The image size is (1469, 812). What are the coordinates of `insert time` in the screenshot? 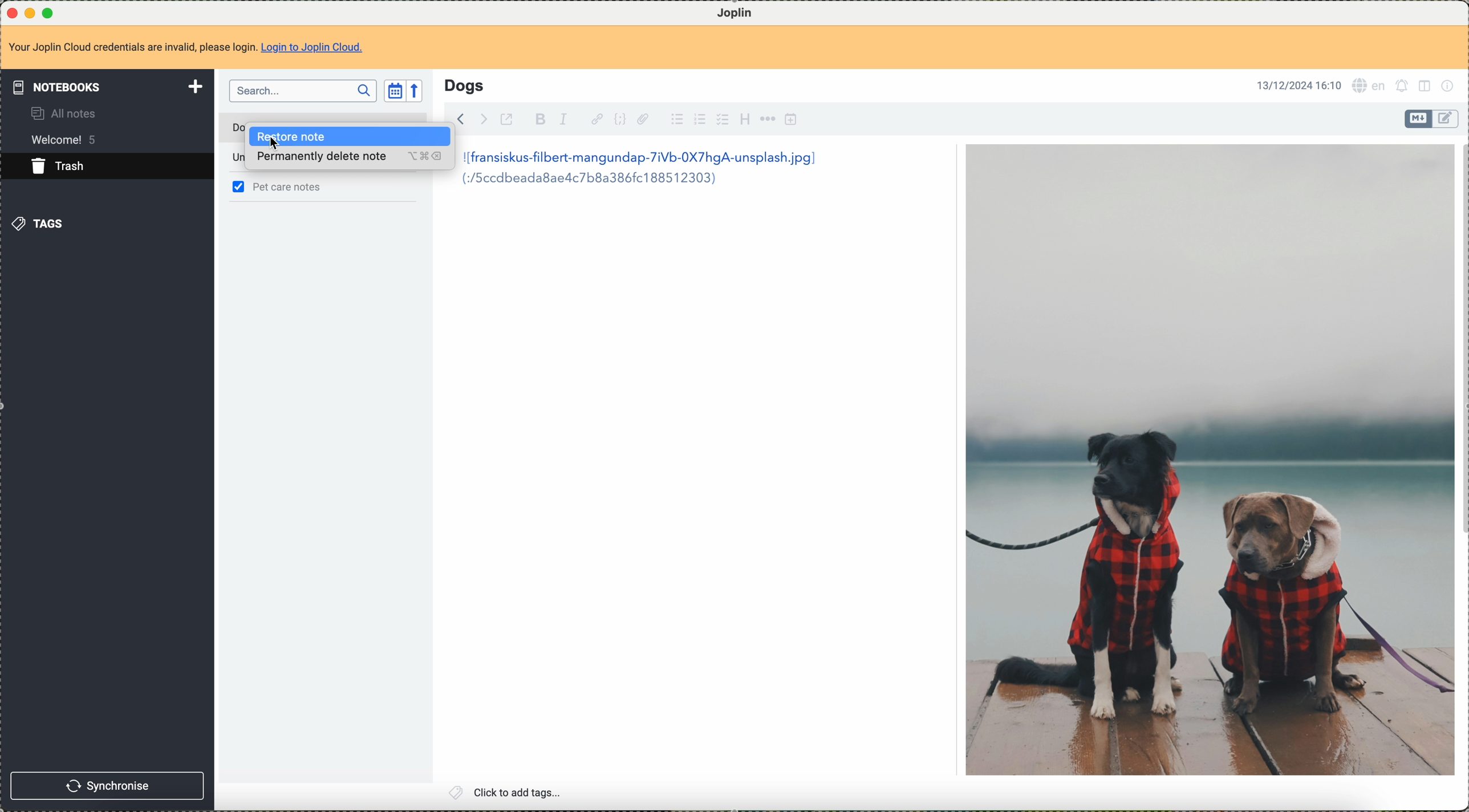 It's located at (792, 120).